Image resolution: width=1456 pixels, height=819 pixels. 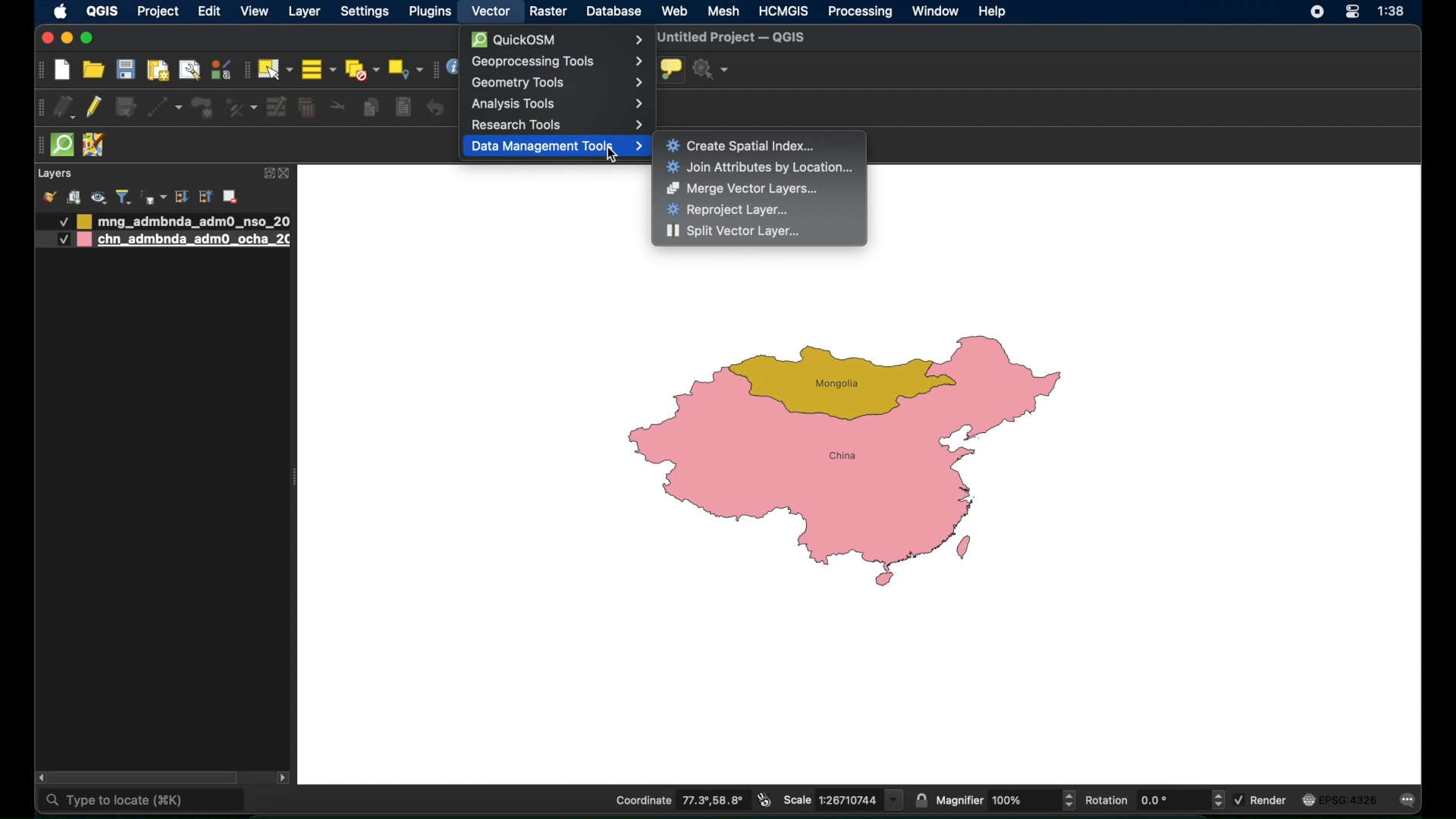 What do you see at coordinates (202, 107) in the screenshot?
I see `add polygon feature` at bounding box center [202, 107].